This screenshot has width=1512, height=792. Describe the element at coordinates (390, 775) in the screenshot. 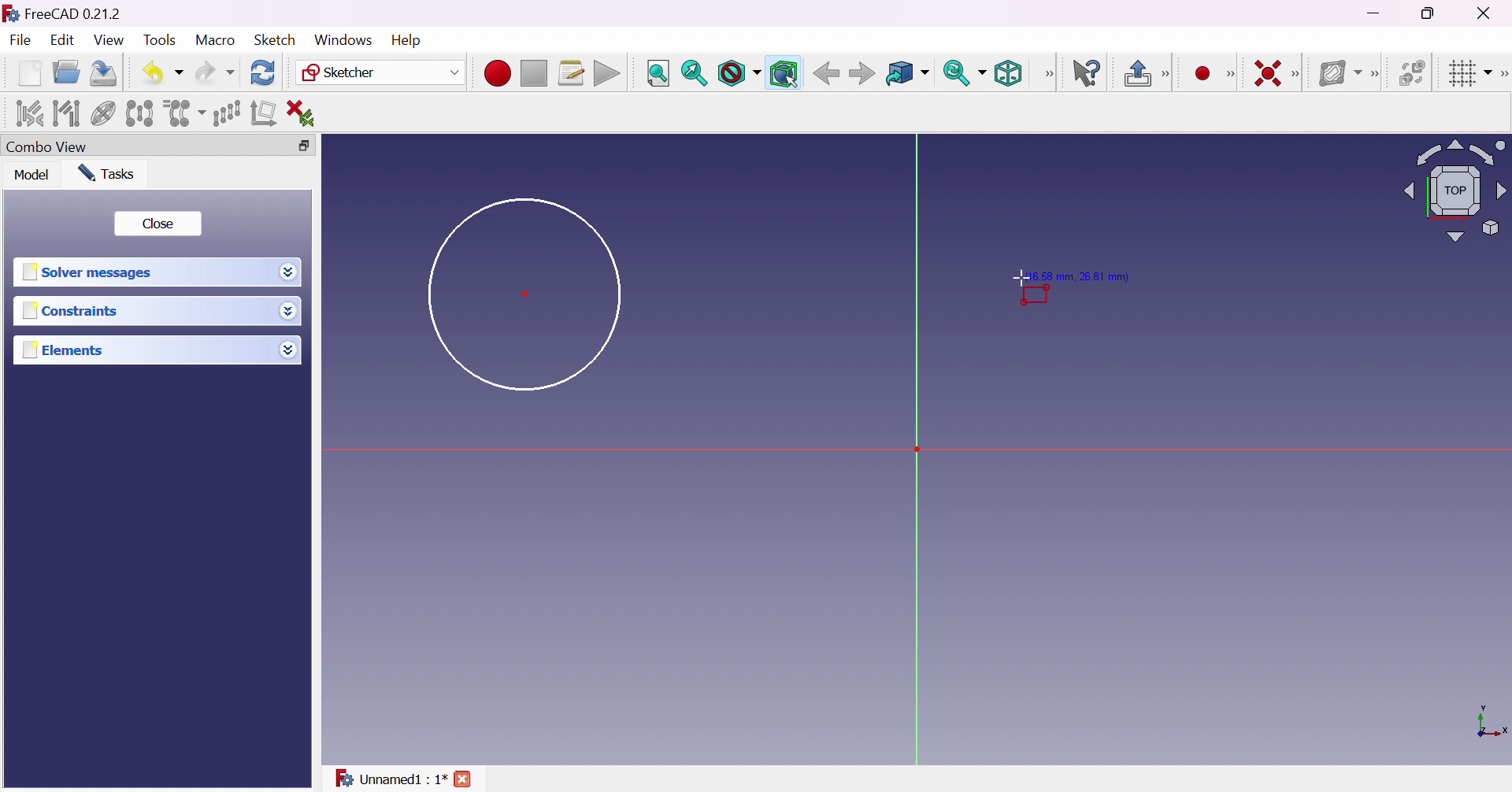

I see `Unnamed : 1*` at that location.